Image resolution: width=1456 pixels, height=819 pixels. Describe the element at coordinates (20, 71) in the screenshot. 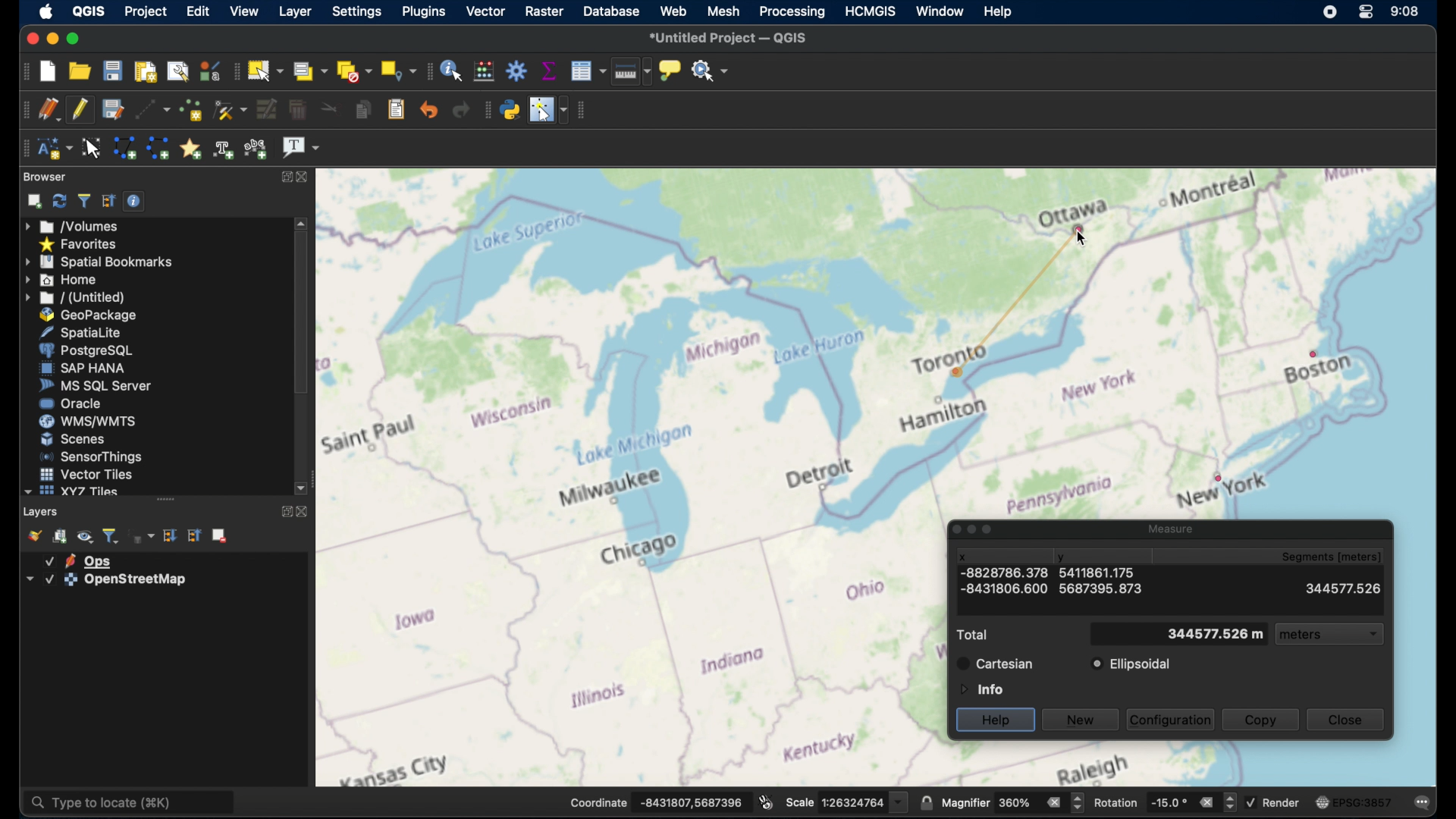

I see `project toolbar` at that location.